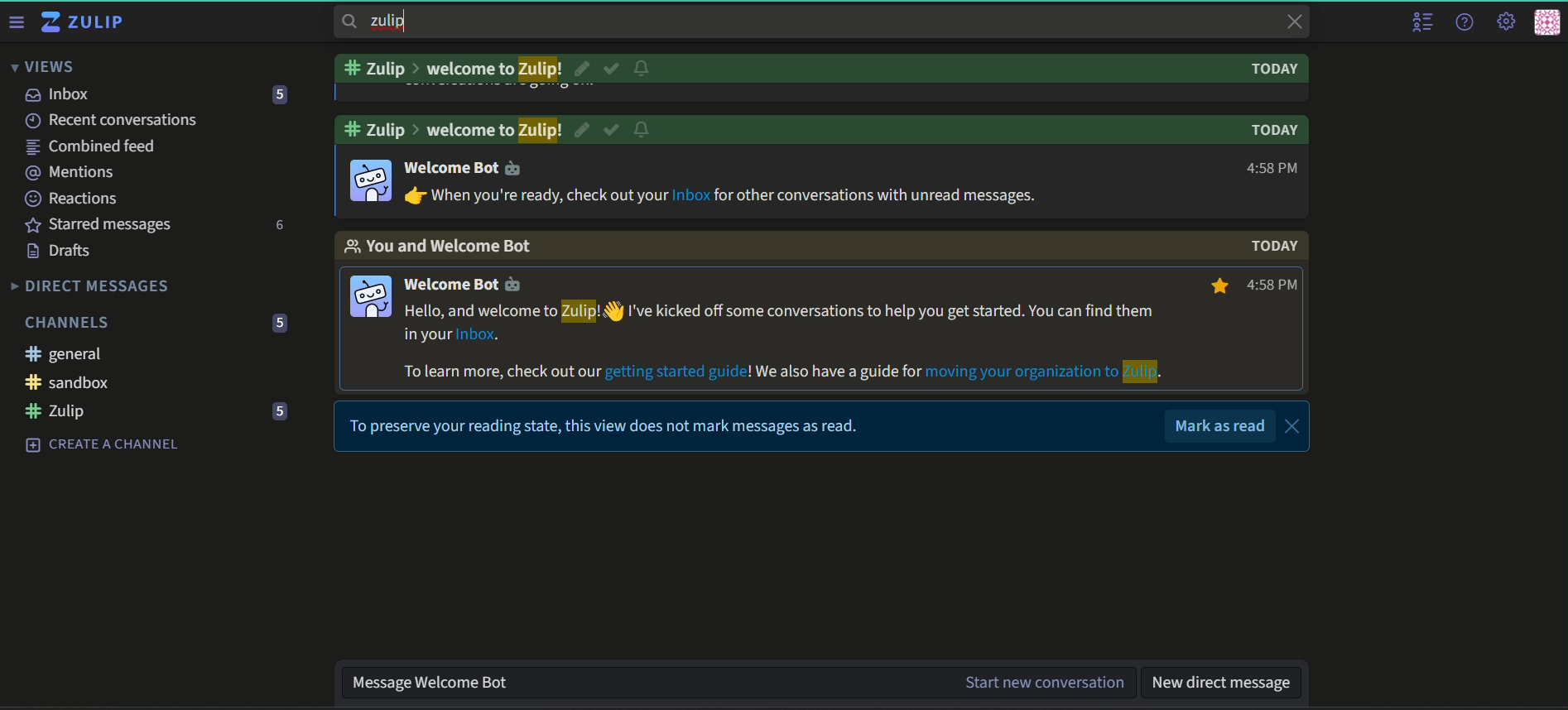 The image size is (1568, 710). Describe the element at coordinates (452, 131) in the screenshot. I see `text` at that location.